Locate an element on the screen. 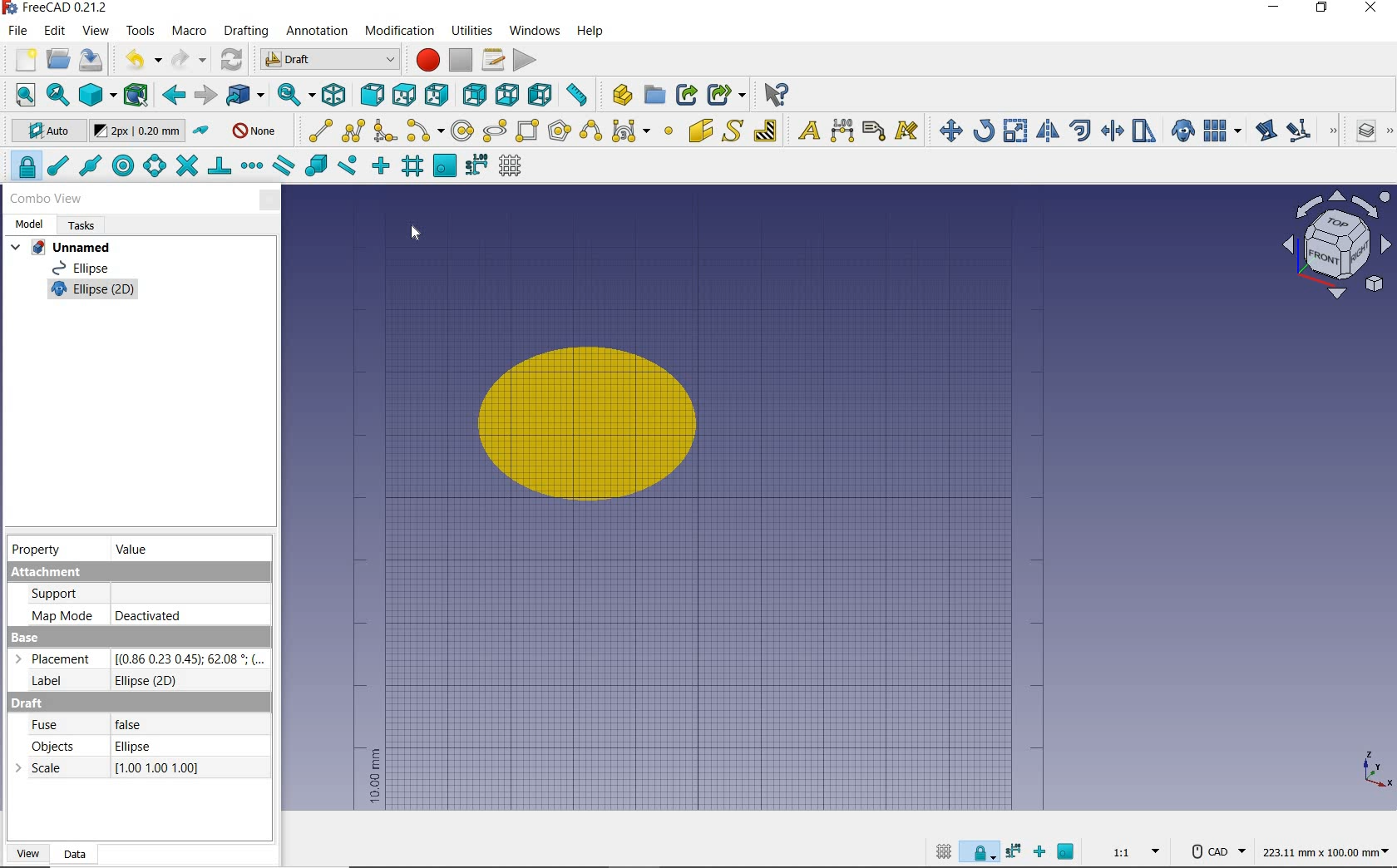 Image resolution: width=1397 pixels, height=868 pixels. windows is located at coordinates (533, 30).